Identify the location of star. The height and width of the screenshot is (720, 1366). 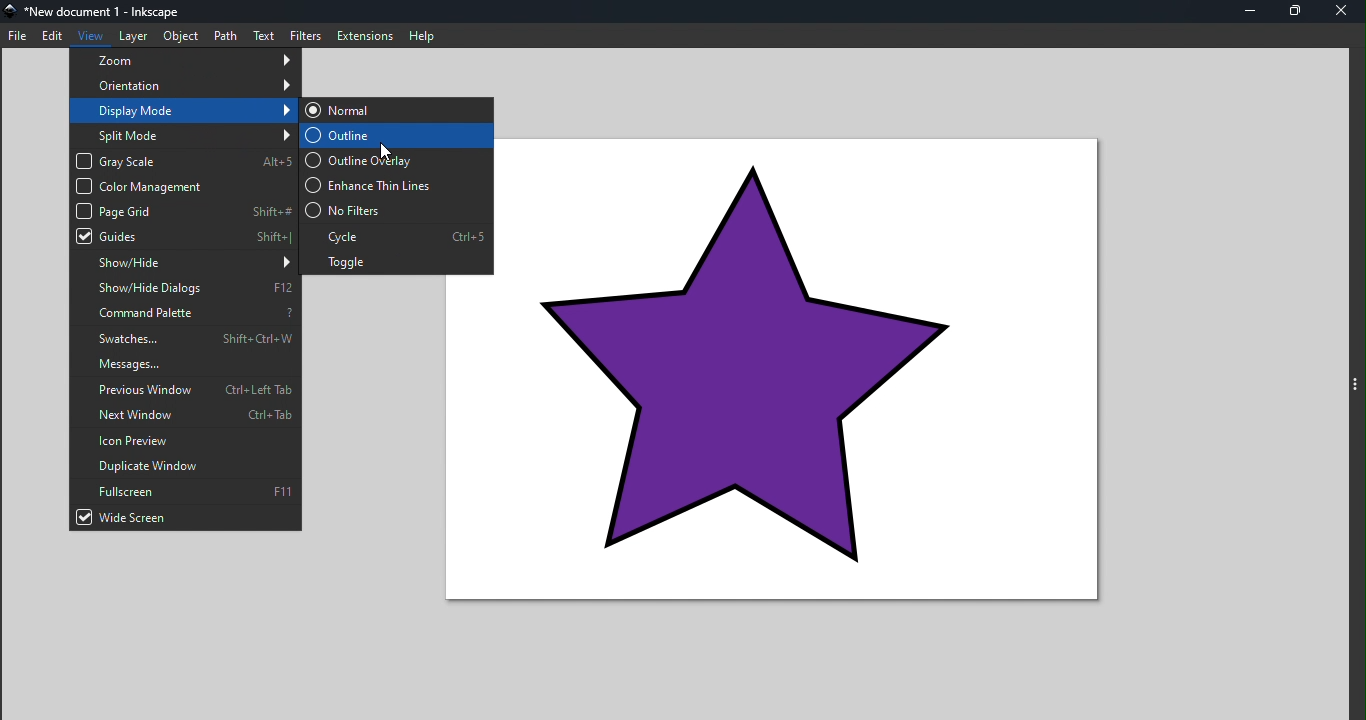
(797, 369).